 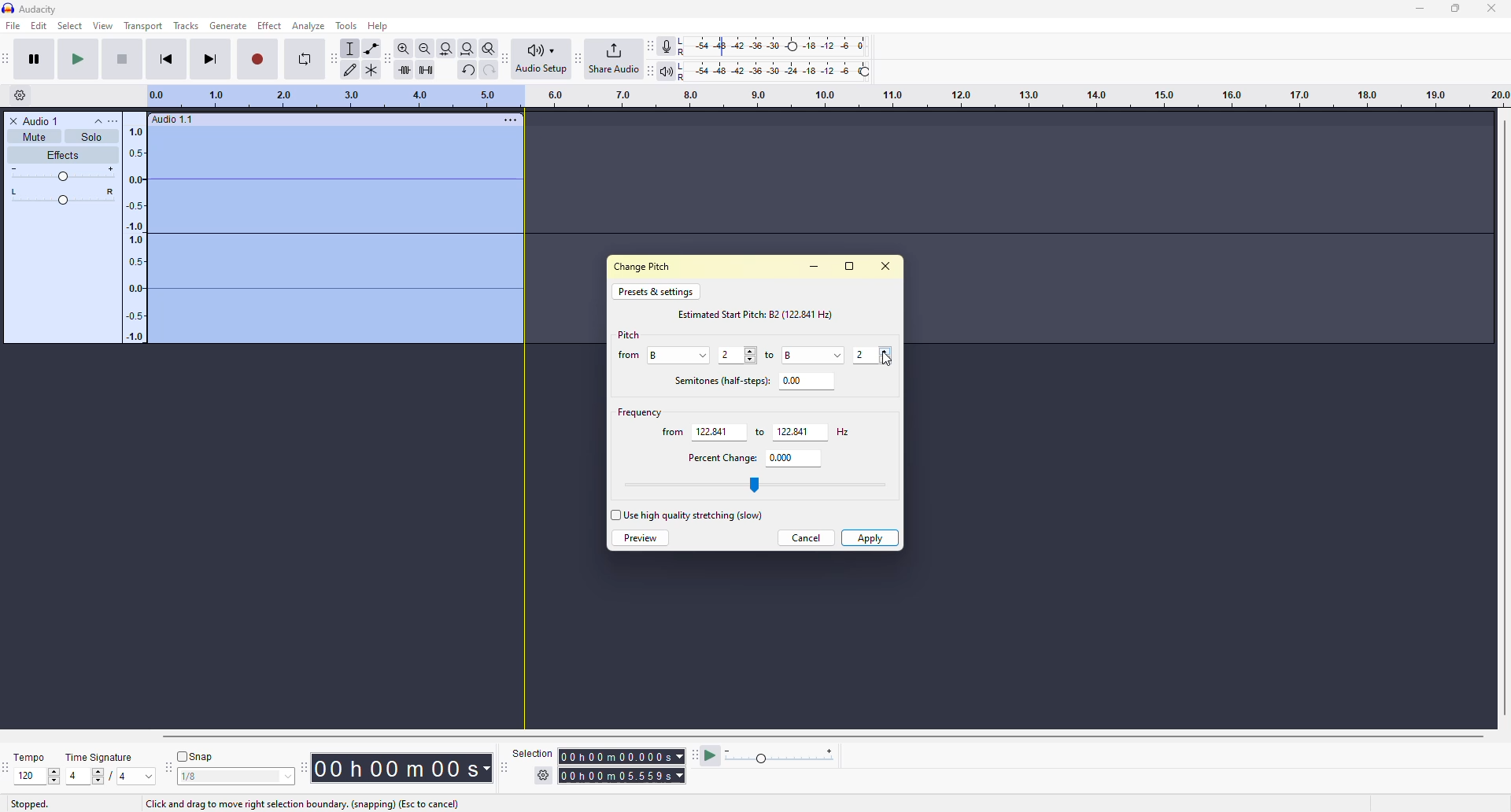 What do you see at coordinates (792, 354) in the screenshot?
I see `value` at bounding box center [792, 354].